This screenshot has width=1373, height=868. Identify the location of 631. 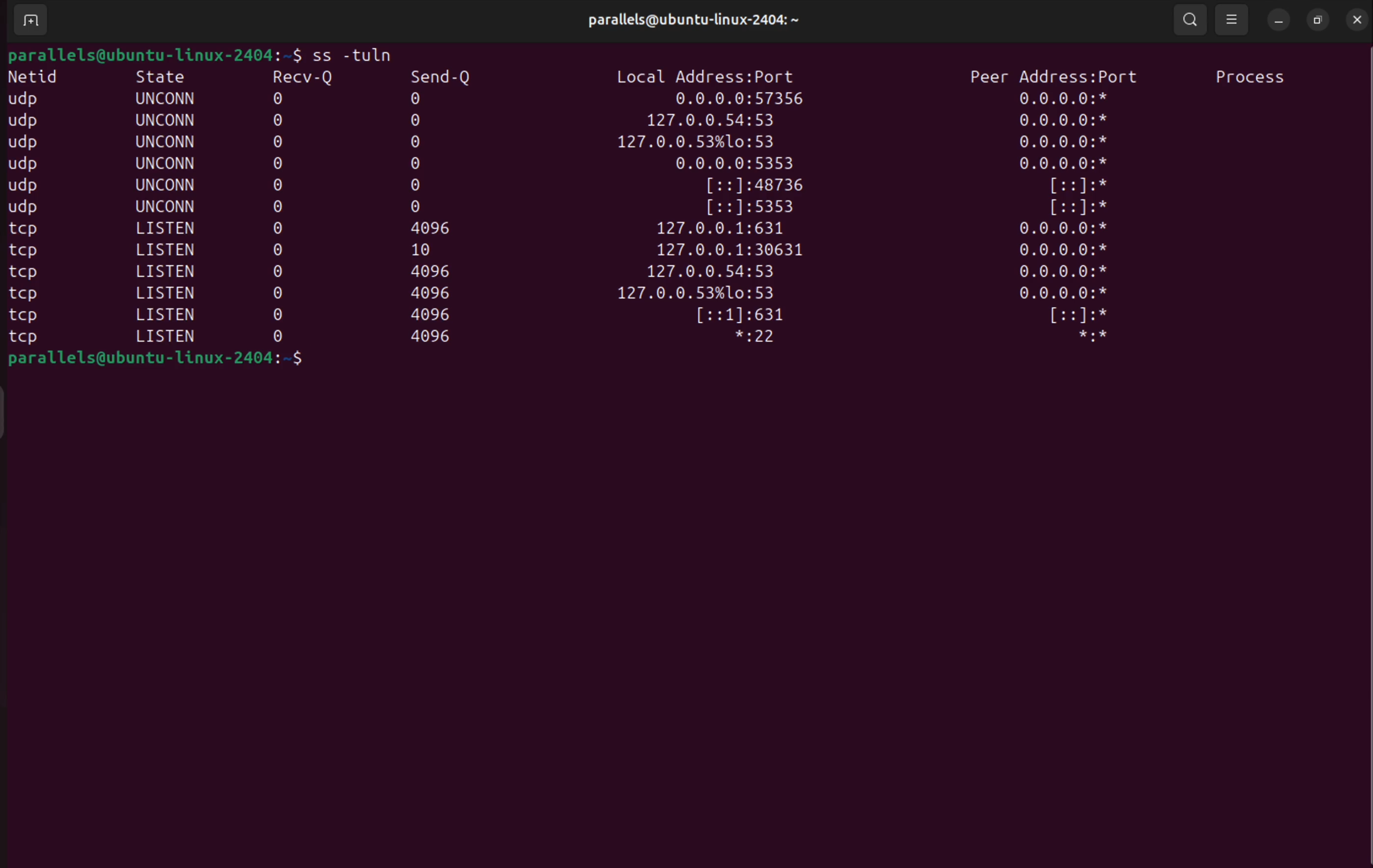
(745, 316).